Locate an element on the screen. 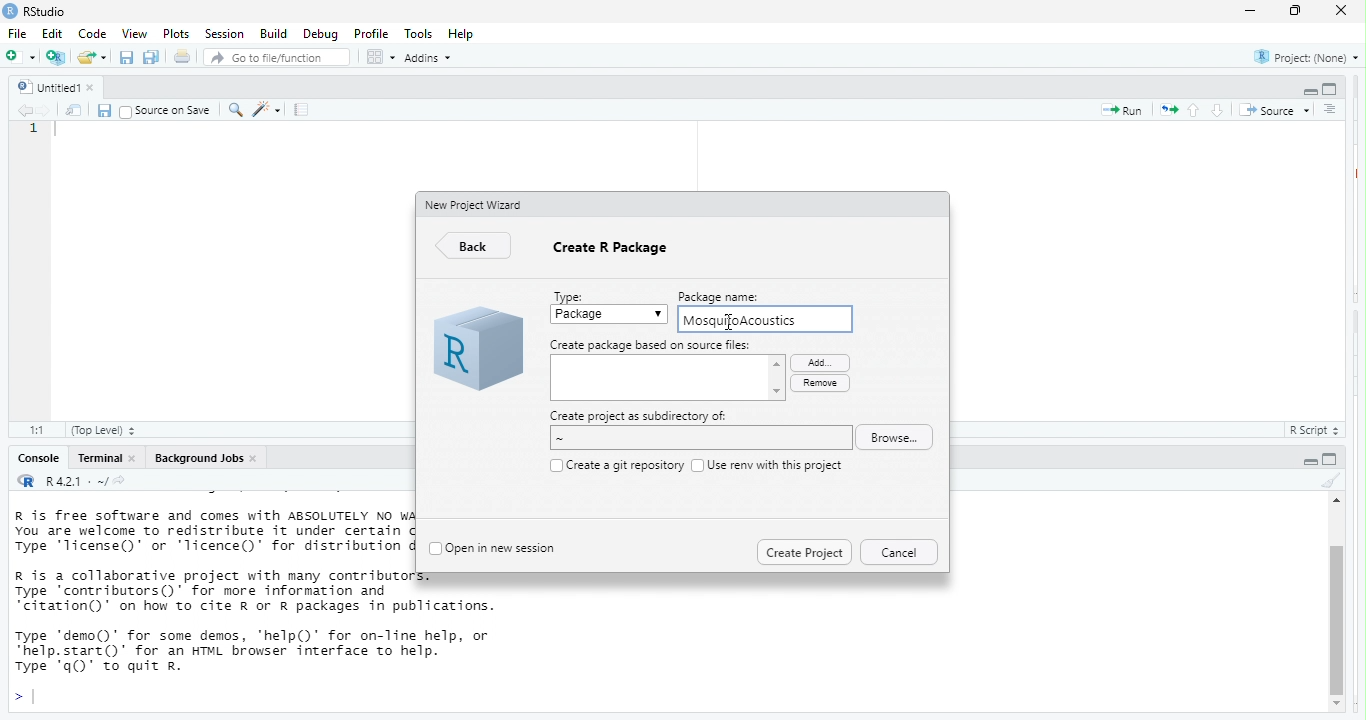  el sie tl—pbmsly-sy-—ibejsiyrisisns-mnisbepalioer-flaimyir-il-d
You are welcome to redistribute it under certain conditions.

Type ‘license()' or ‘licence()' for distribution details.

R is a collaborative project with many contributors.

Type contributors)’ for more information and

“citation()’ on how to cite R or R packages in publications.

Type ‘demo()' for some demos, ‘'help()’ for on-line help, or

“help.start()’ for an HTML browser interface to help.

Type 'q0)" to quit R. is located at coordinates (213, 598).